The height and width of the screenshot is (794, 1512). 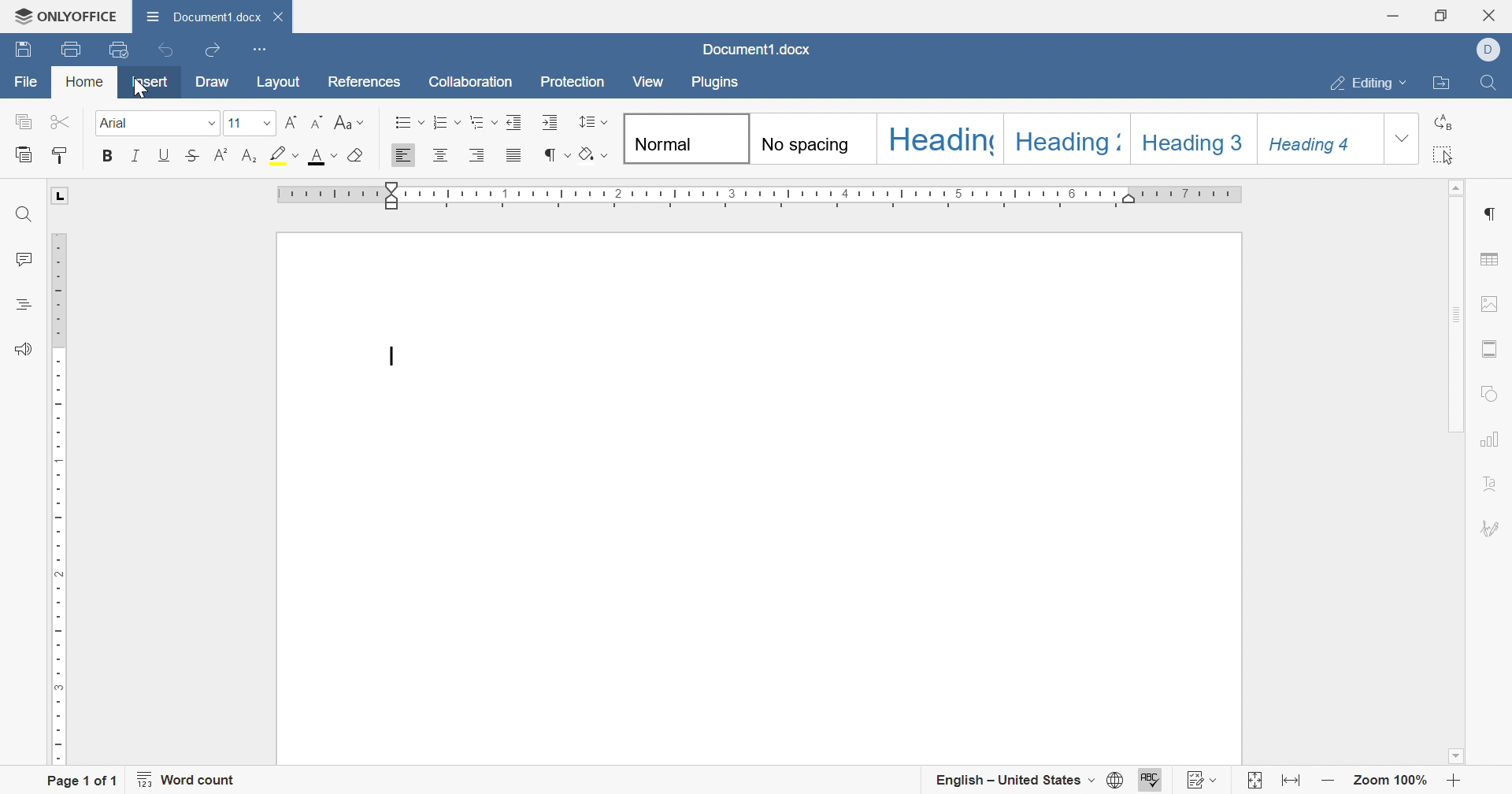 I want to click on Multilevel list, so click(x=484, y=127).